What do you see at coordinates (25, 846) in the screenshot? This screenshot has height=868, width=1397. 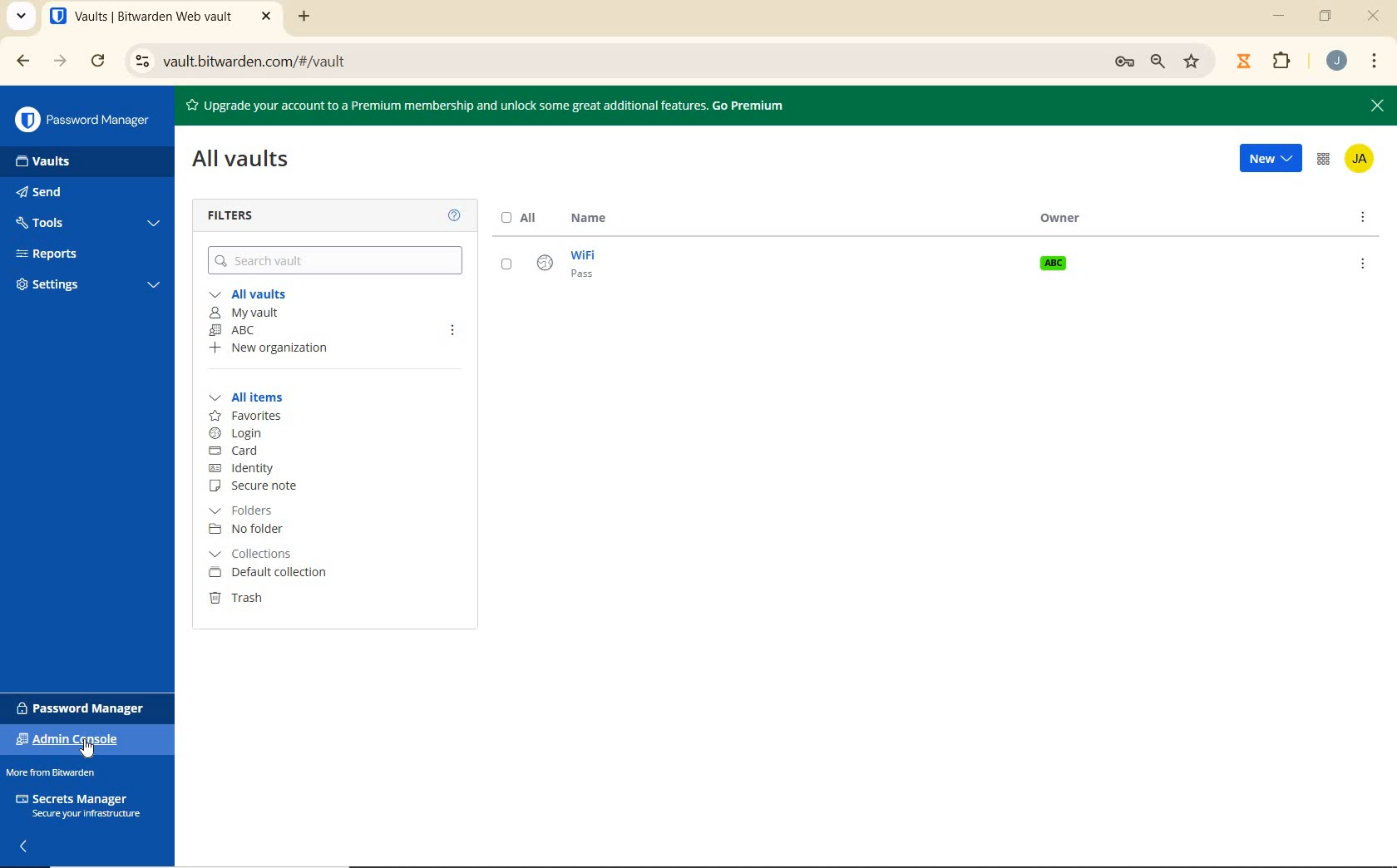 I see `COLLAPSE` at bounding box center [25, 846].